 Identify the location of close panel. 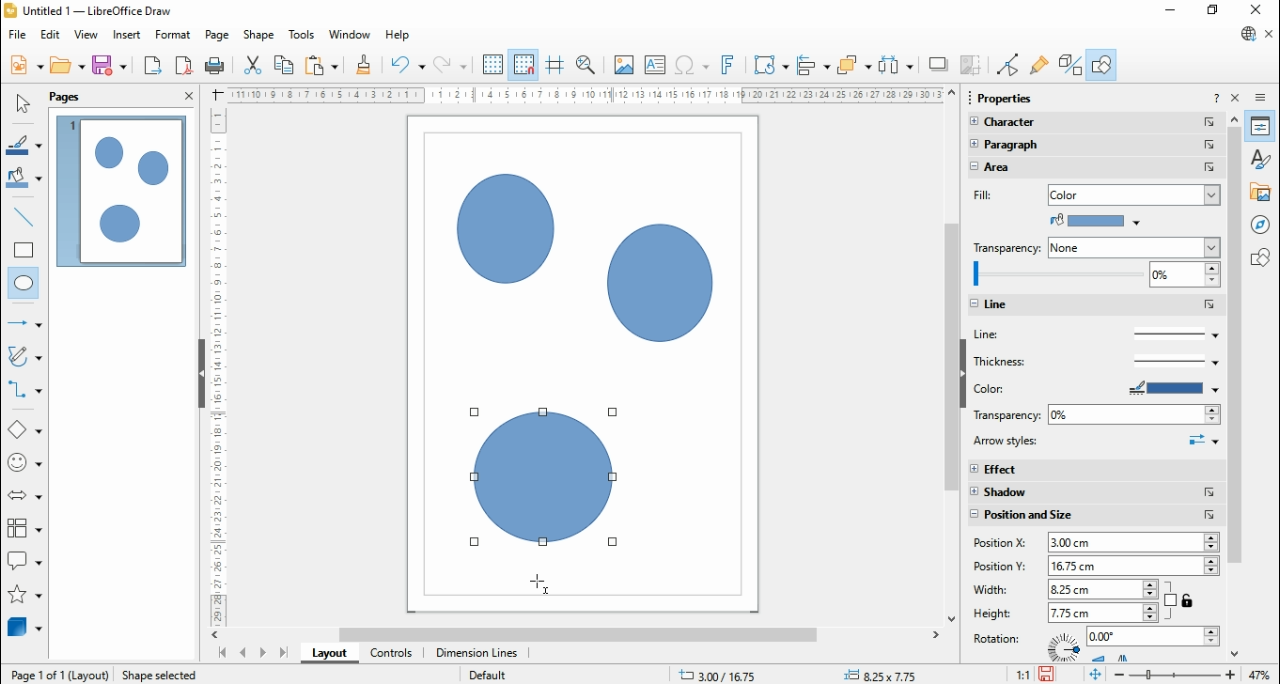
(189, 95).